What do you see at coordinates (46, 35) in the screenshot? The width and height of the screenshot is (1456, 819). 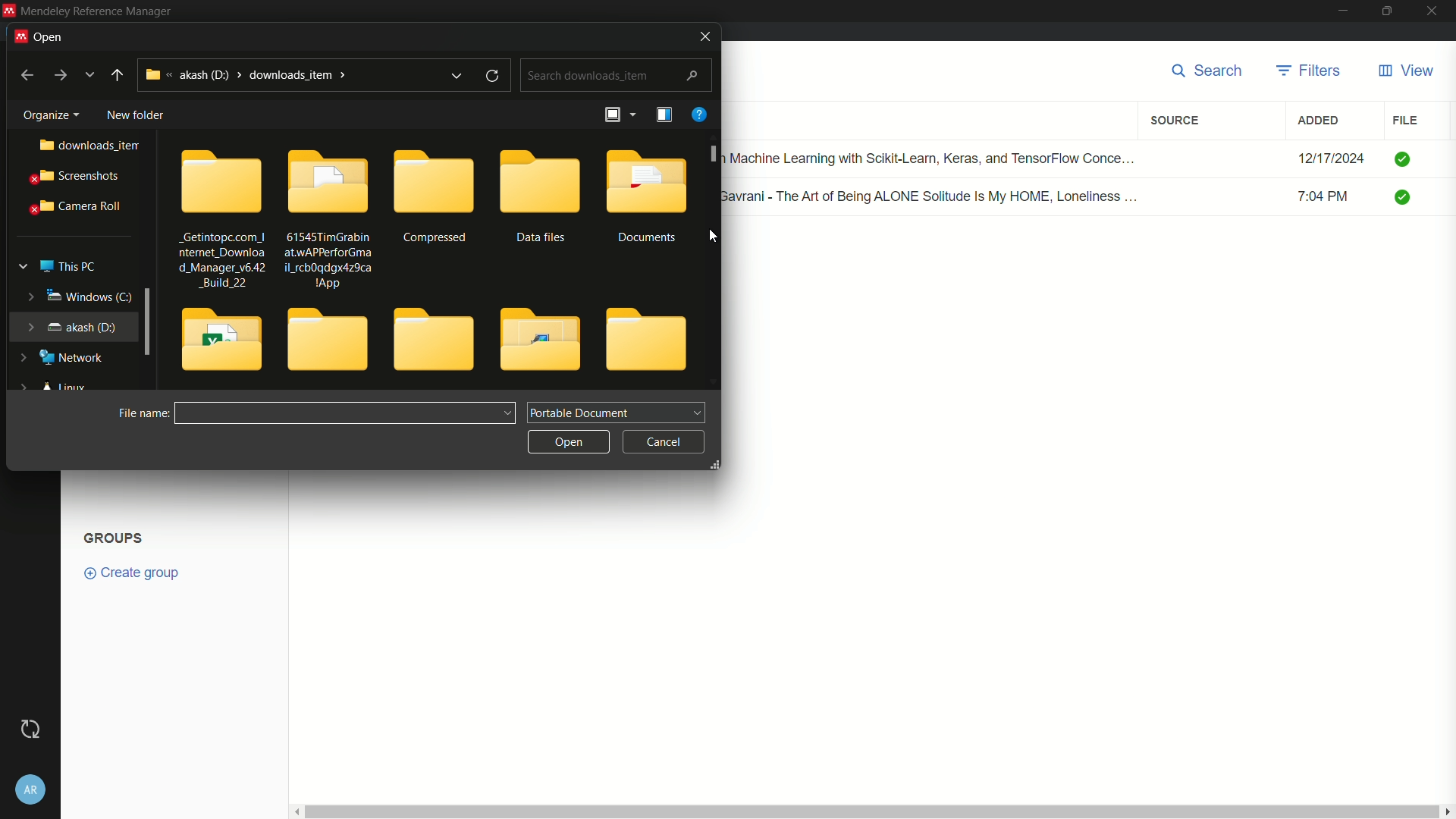 I see `open` at bounding box center [46, 35].